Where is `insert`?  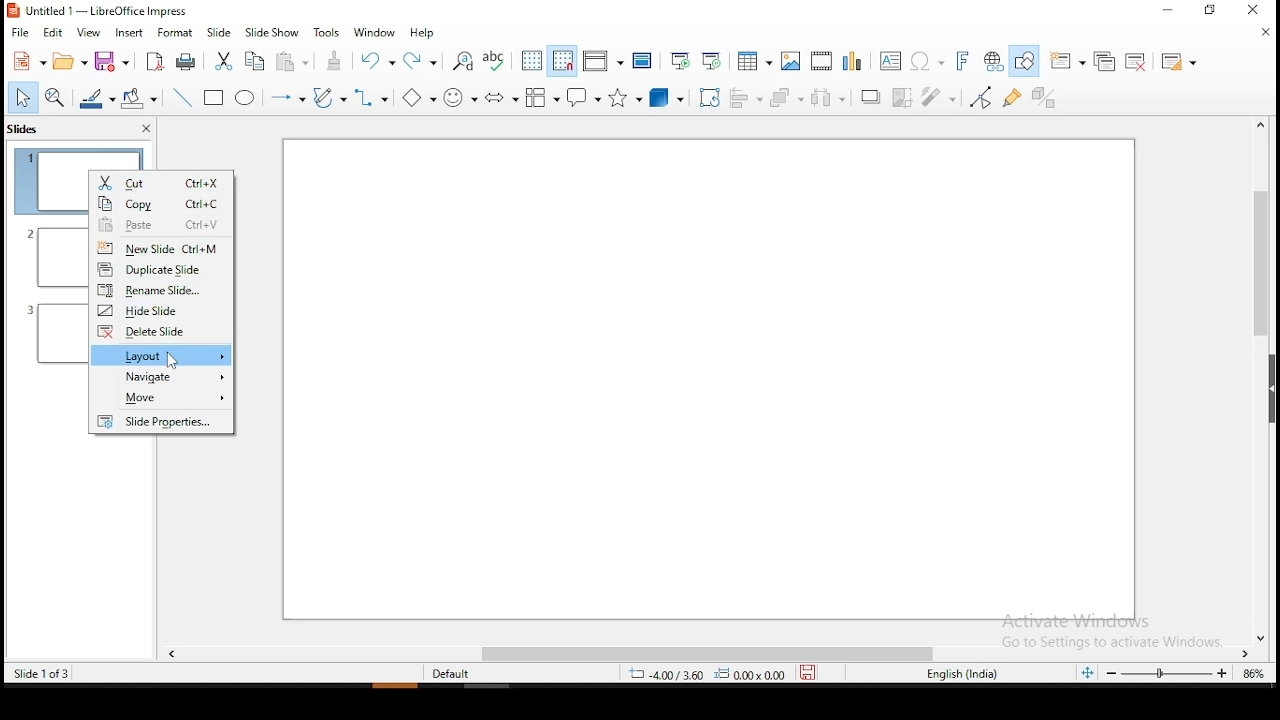 insert is located at coordinates (127, 33).